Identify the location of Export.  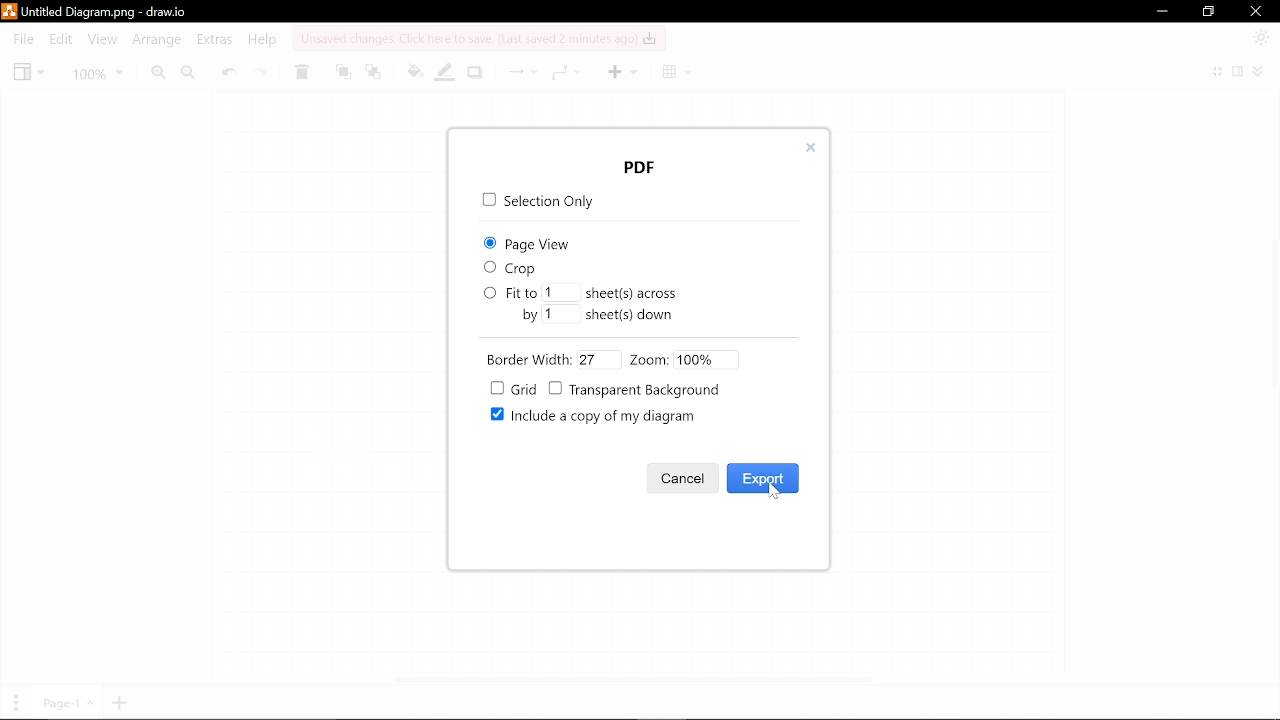
(766, 478).